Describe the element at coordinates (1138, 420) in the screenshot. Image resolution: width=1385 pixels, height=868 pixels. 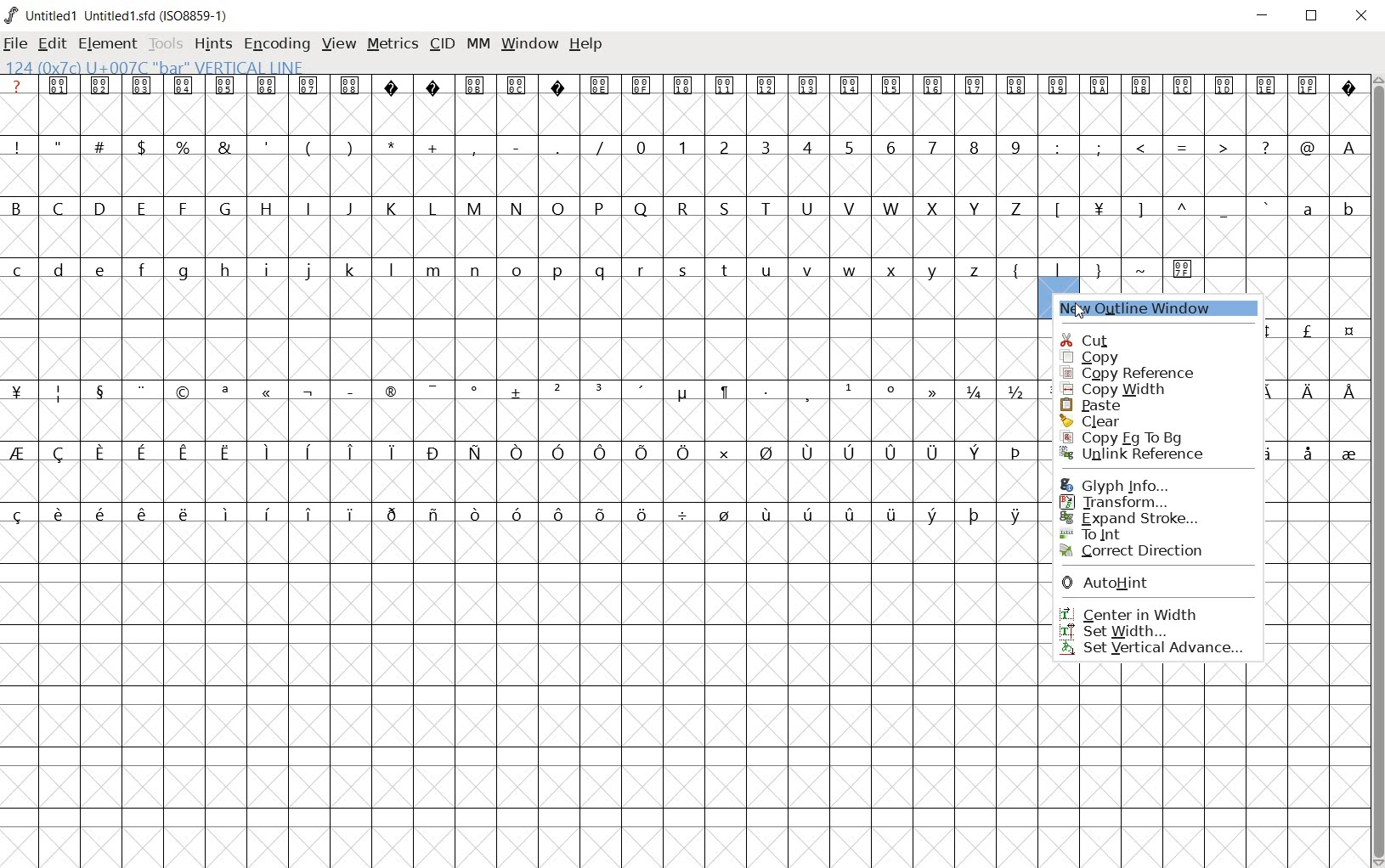
I see `clear` at that location.